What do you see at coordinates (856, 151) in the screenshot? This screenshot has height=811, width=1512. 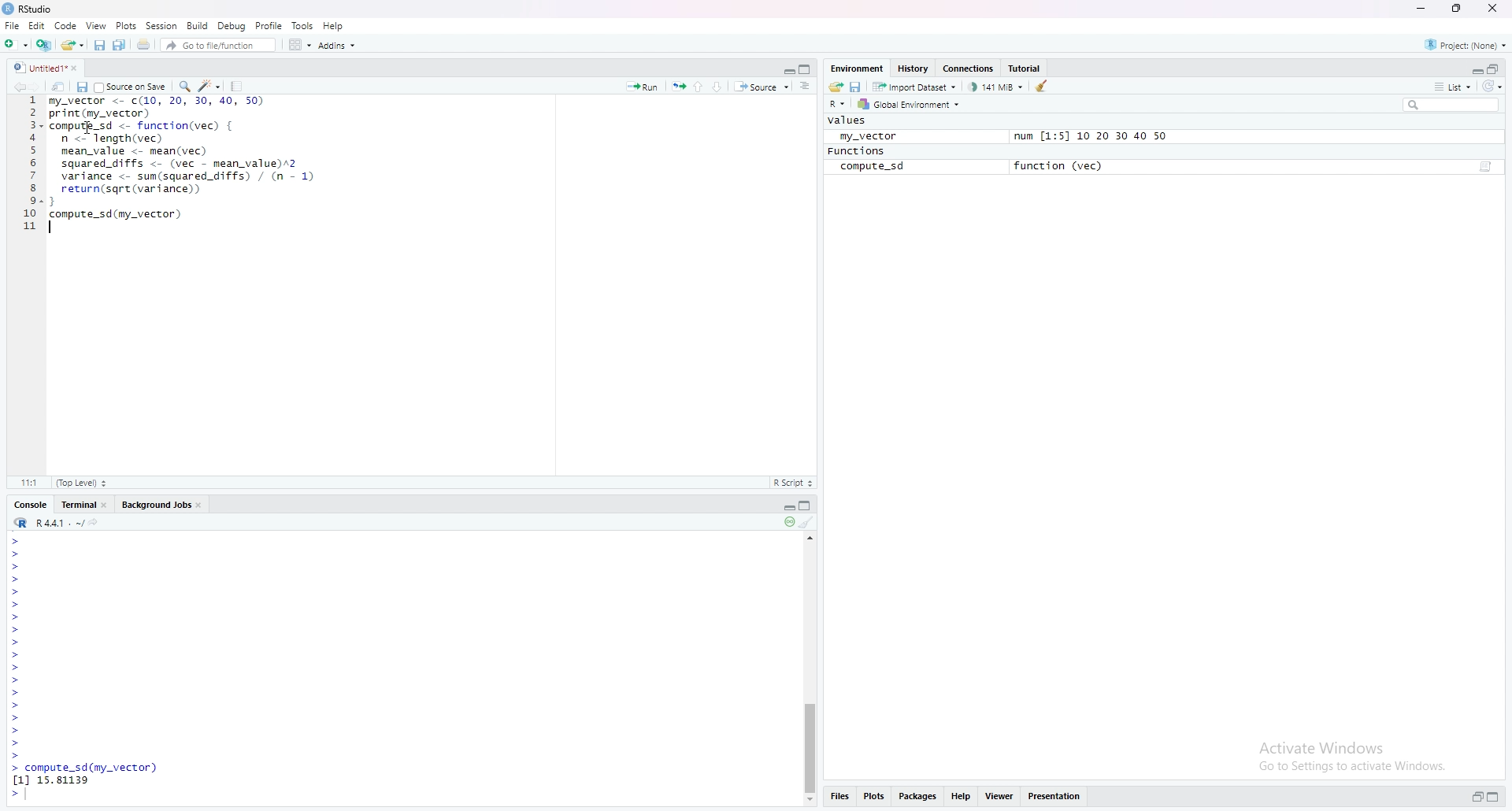 I see `Functions` at bounding box center [856, 151].